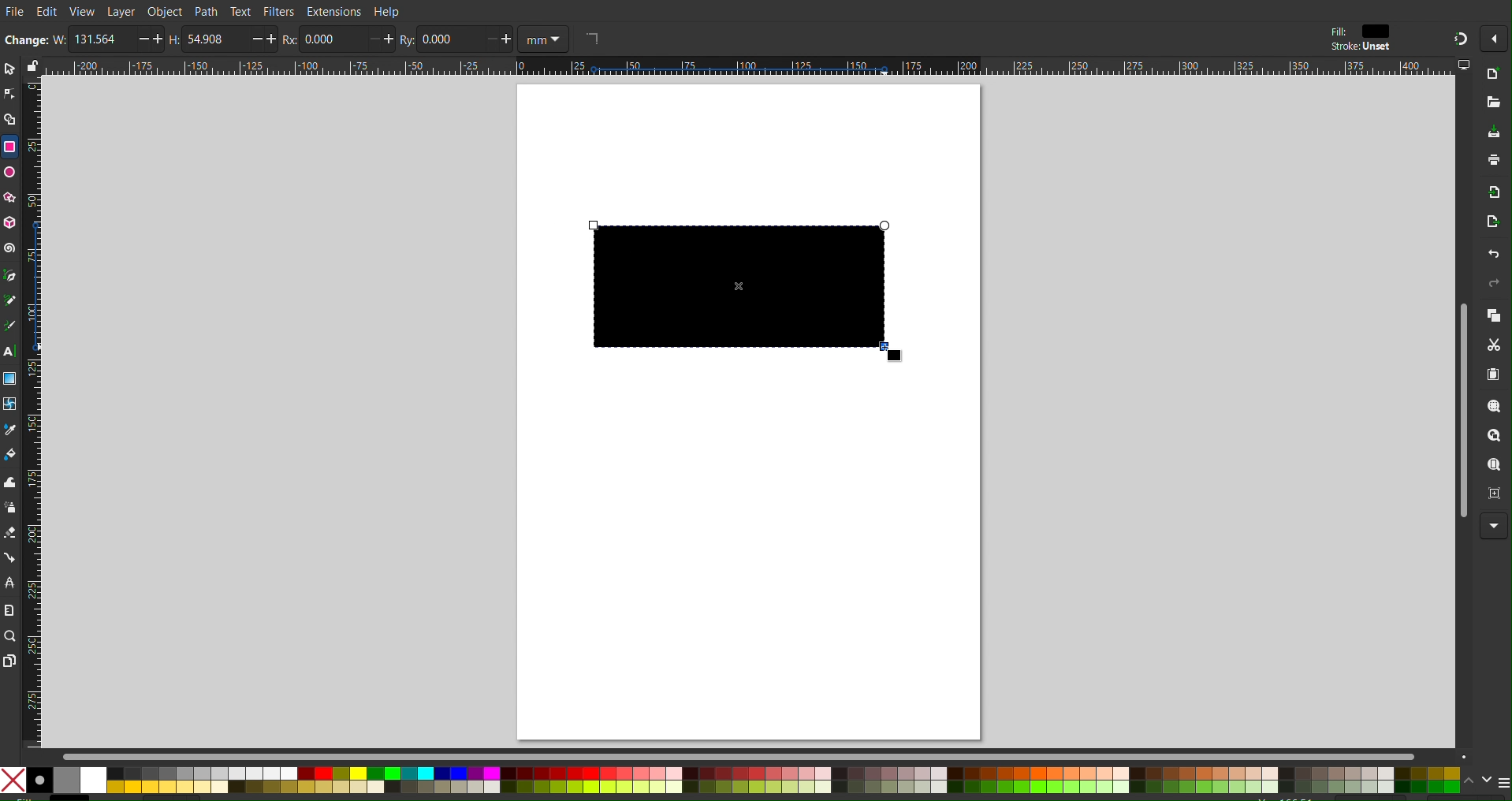 The height and width of the screenshot is (801, 1512). What do you see at coordinates (1464, 65) in the screenshot?
I see `computer icon` at bounding box center [1464, 65].